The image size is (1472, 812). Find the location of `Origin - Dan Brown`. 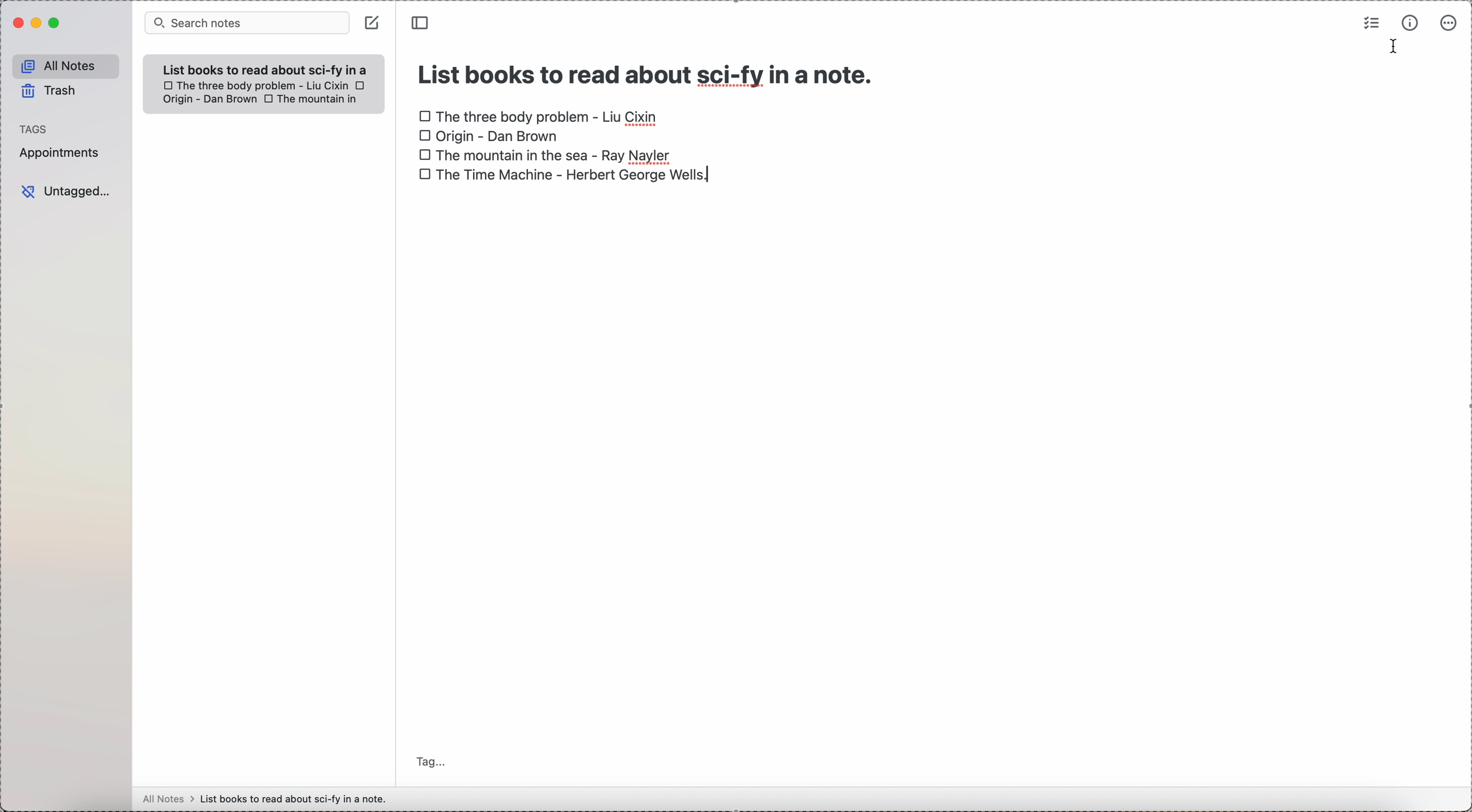

Origin - Dan Brown is located at coordinates (208, 100).